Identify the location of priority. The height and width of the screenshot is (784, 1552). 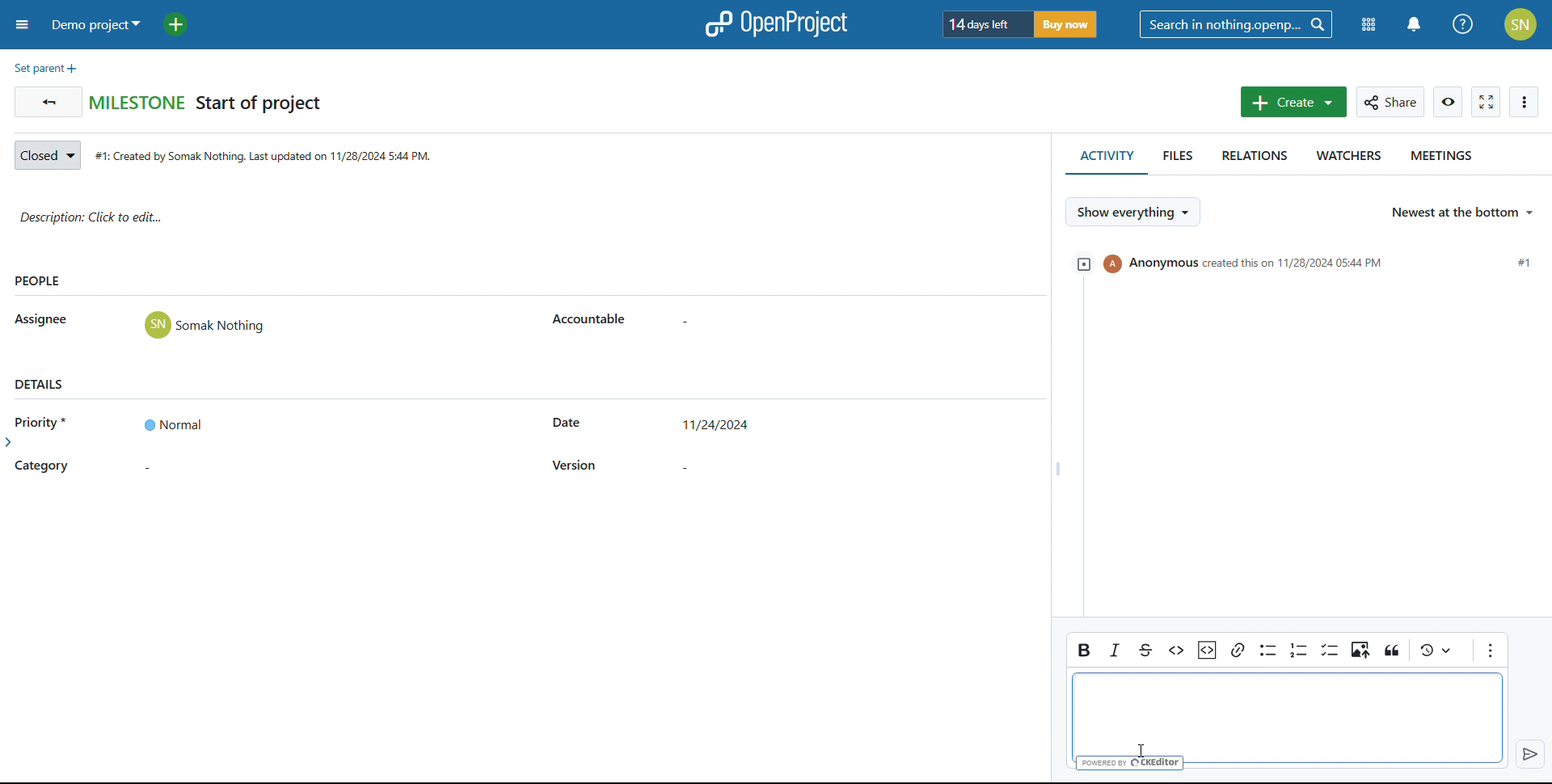
(47, 421).